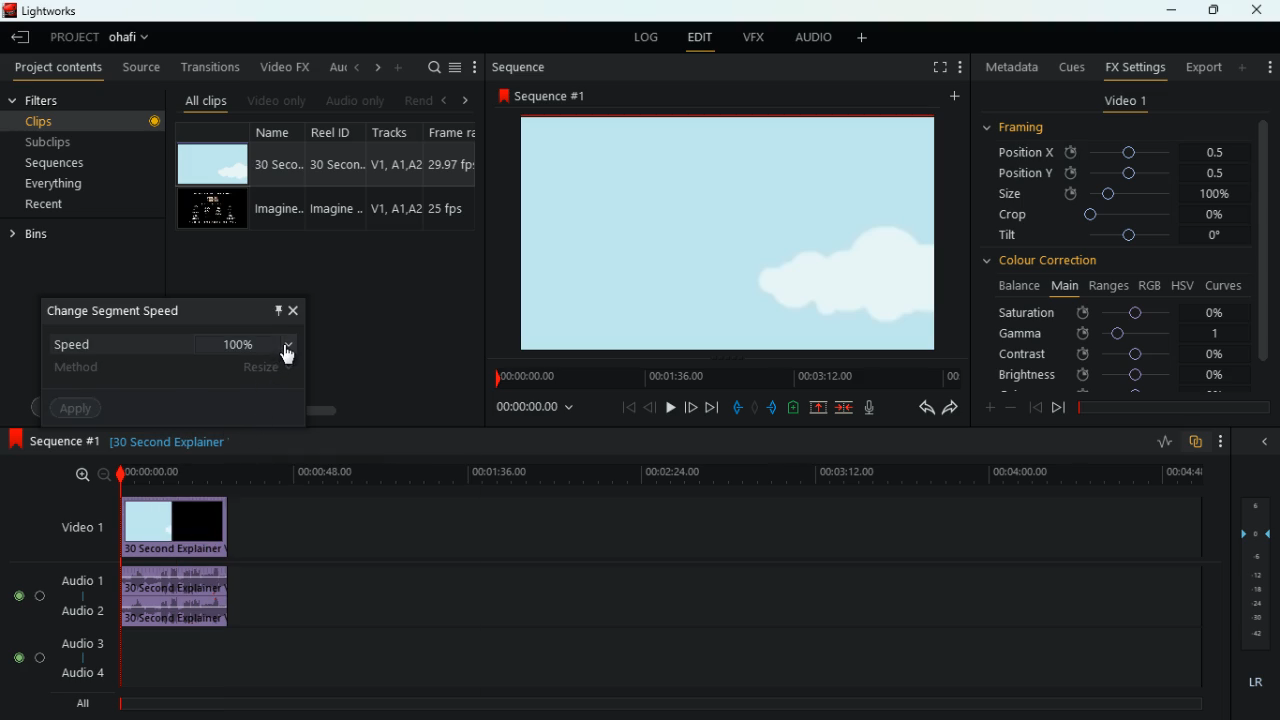 This screenshot has width=1280, height=720. I want to click on time, so click(167, 442).